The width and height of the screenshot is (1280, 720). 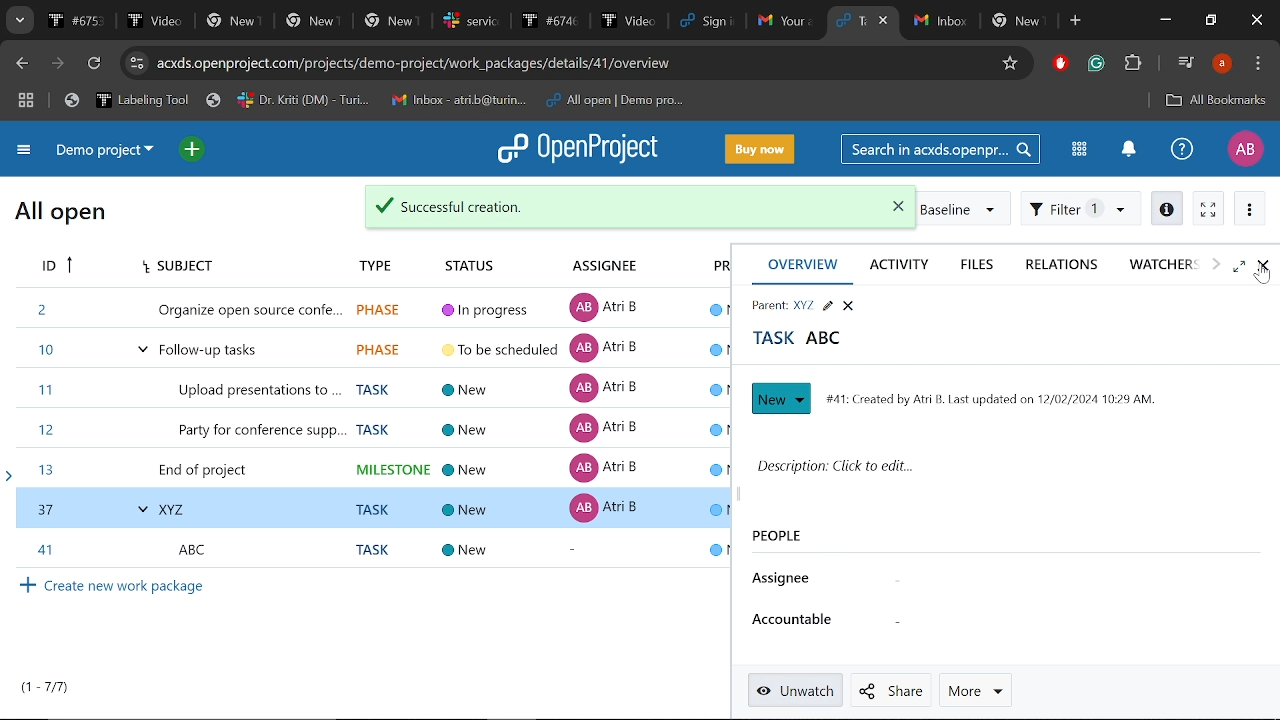 I want to click on Restore down, so click(x=1210, y=21).